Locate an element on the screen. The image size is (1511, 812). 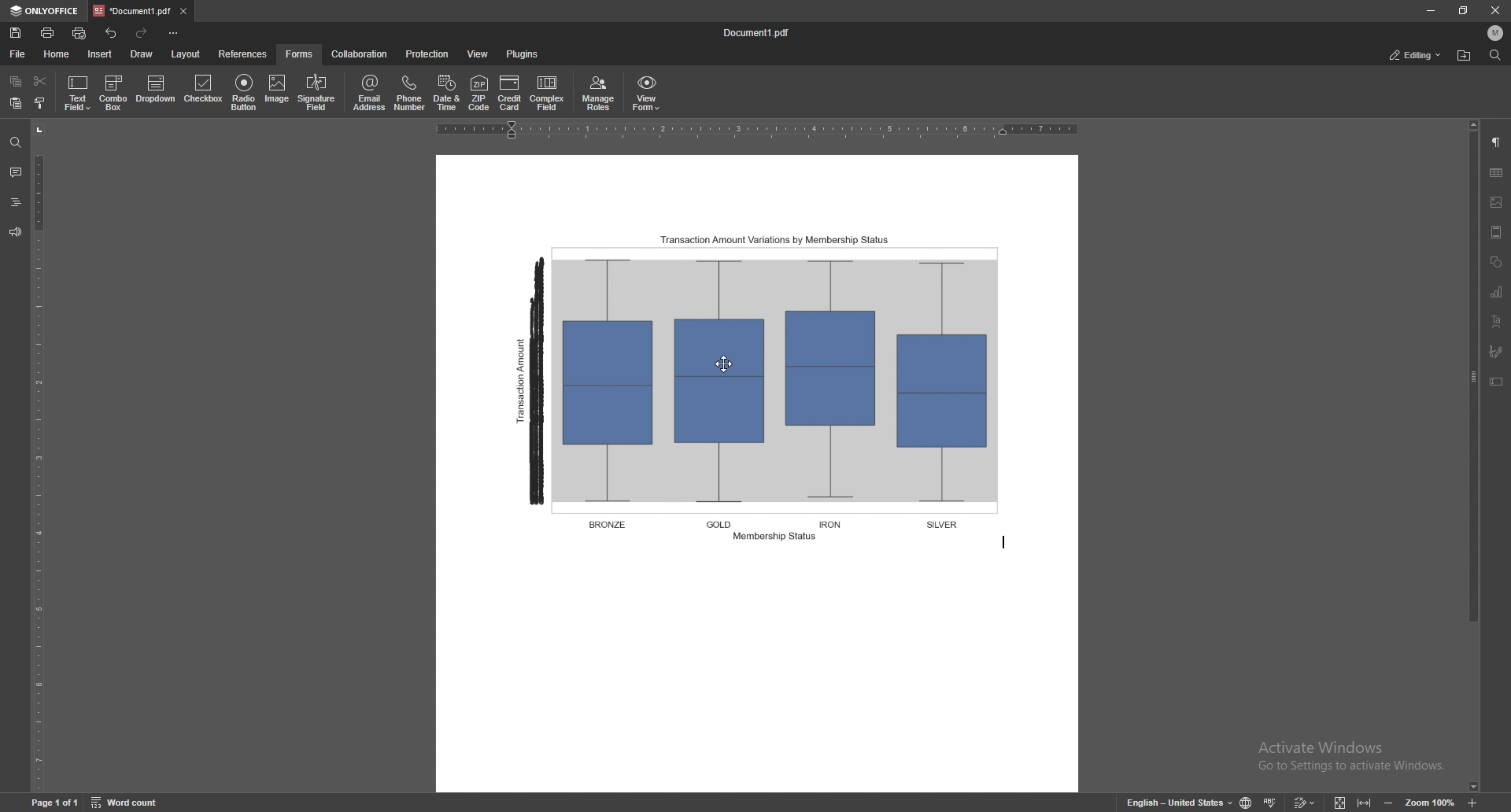
text art is located at coordinates (1495, 321).